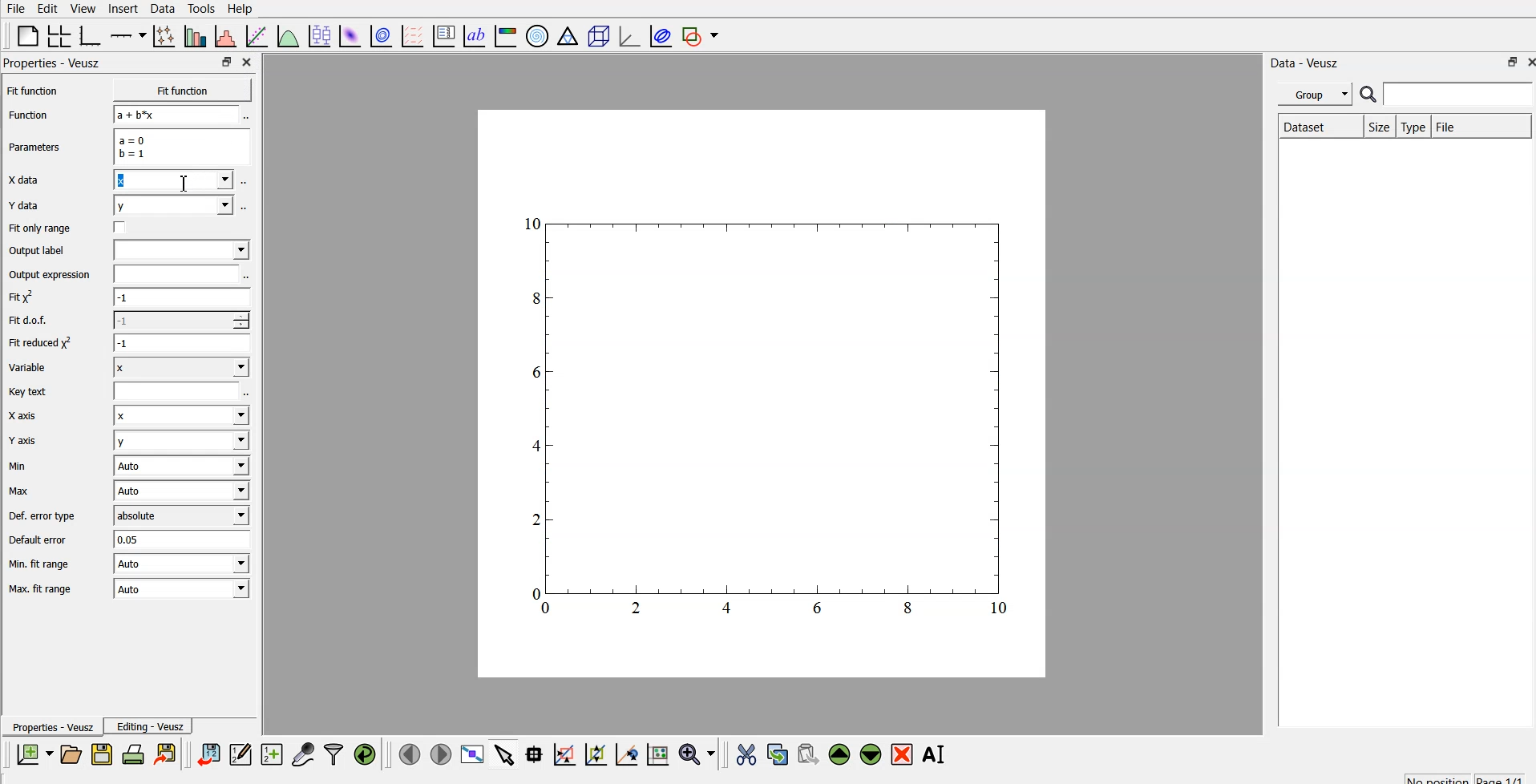  What do you see at coordinates (287, 38) in the screenshot?
I see `plot a function` at bounding box center [287, 38].